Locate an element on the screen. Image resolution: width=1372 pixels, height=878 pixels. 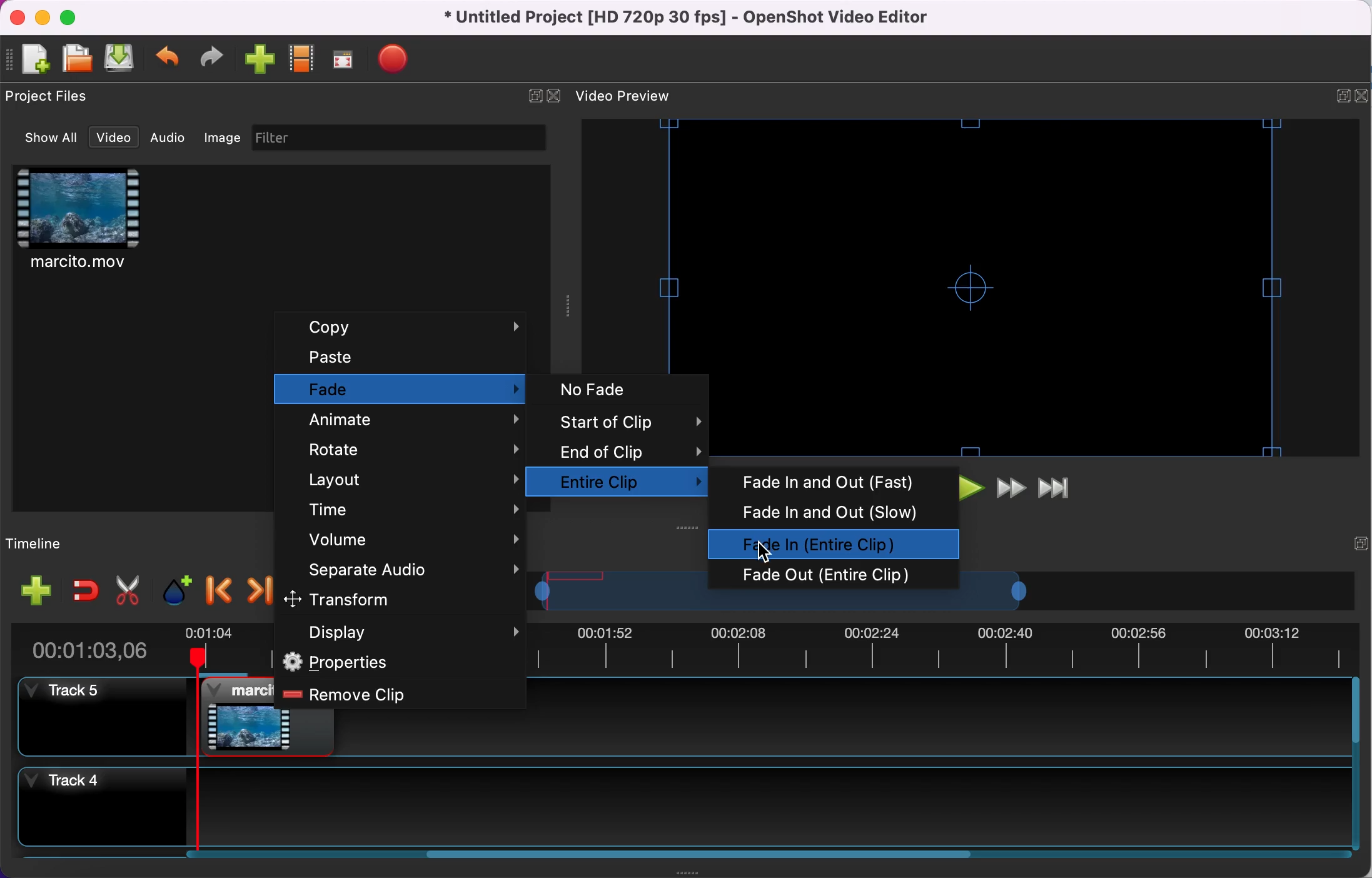
save file is located at coordinates (119, 58).